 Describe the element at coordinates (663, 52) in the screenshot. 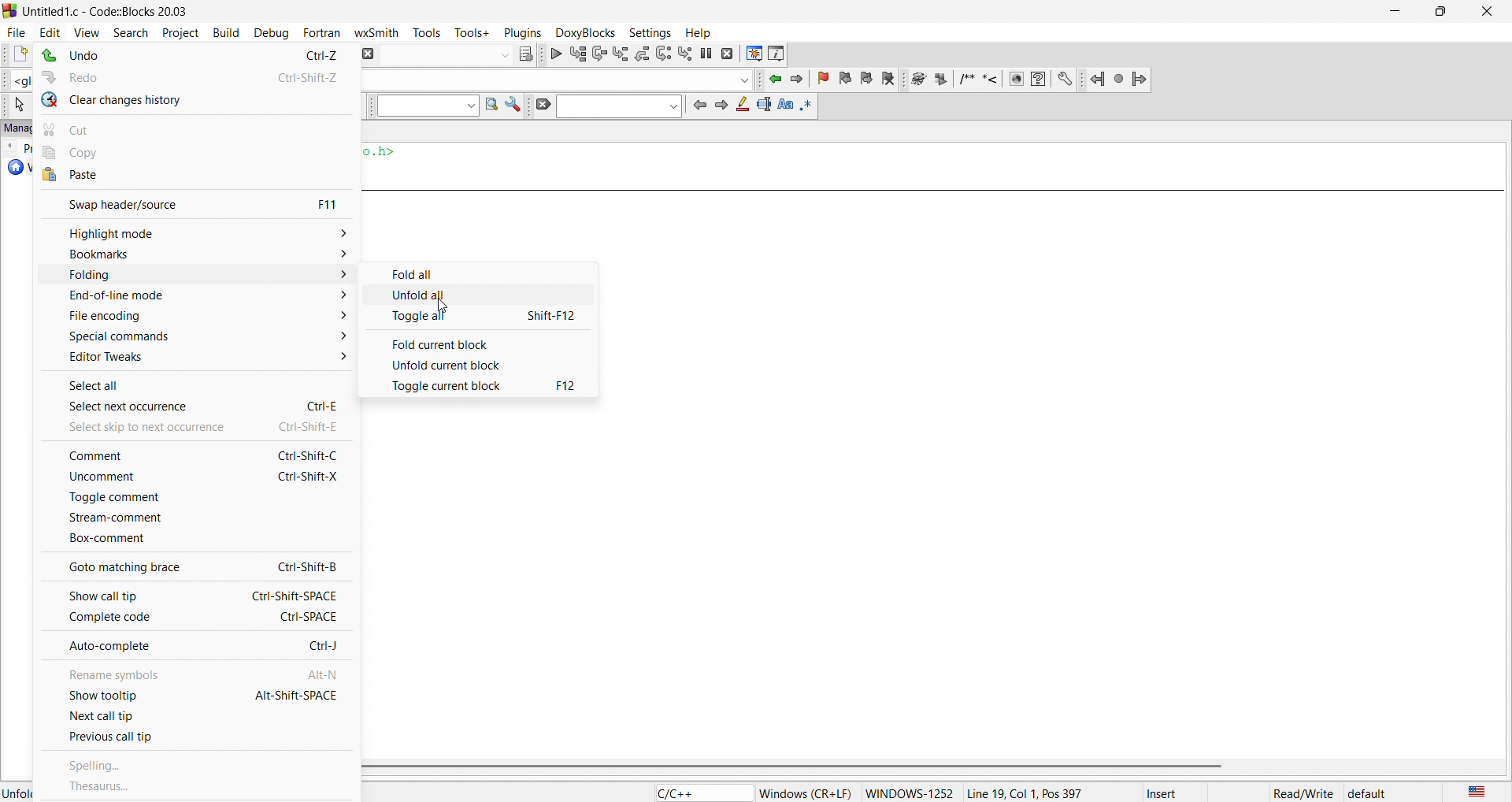

I see `next instruction` at that location.